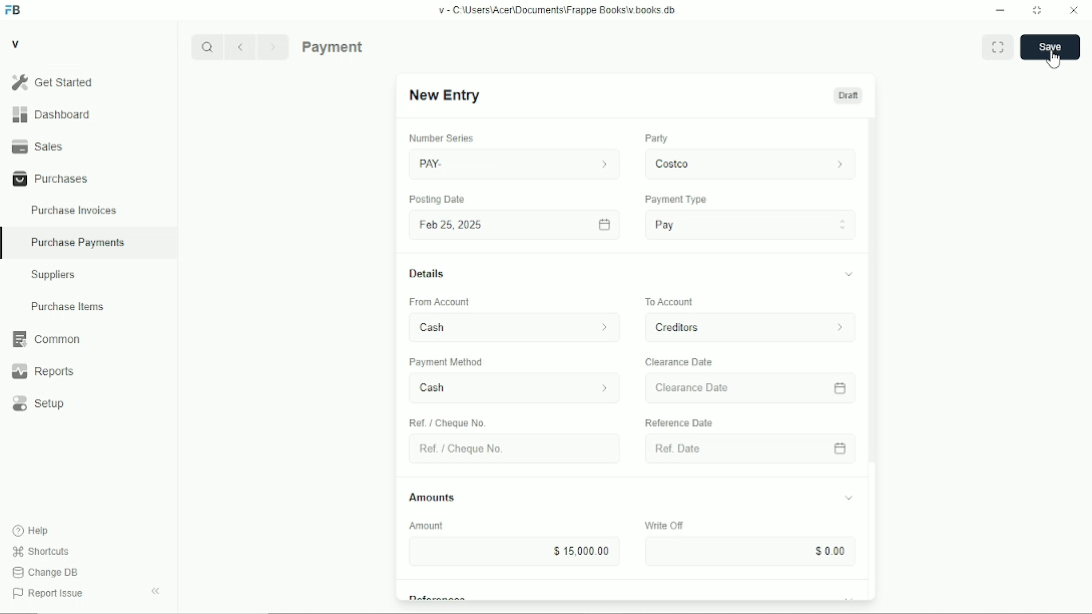 Image resolution: width=1092 pixels, height=614 pixels. What do you see at coordinates (438, 303) in the screenshot?
I see `‘From Account` at bounding box center [438, 303].